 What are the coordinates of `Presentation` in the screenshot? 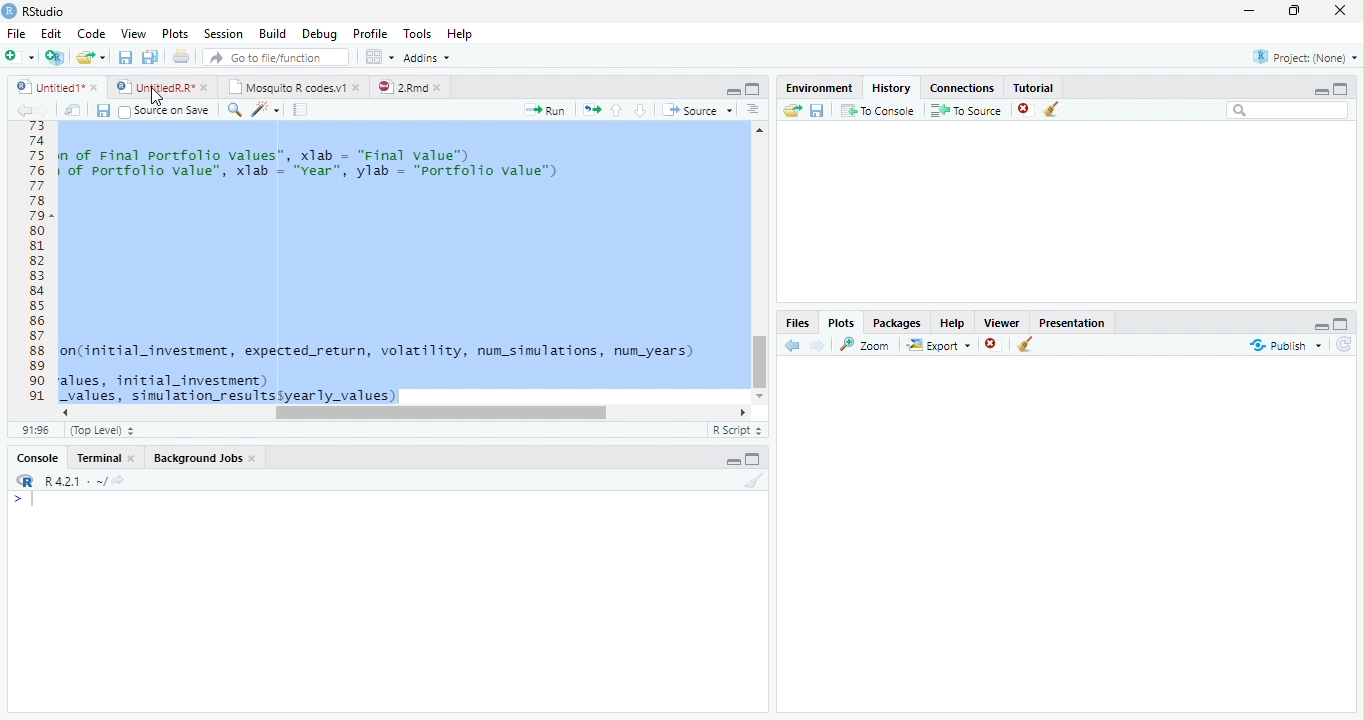 It's located at (1072, 321).